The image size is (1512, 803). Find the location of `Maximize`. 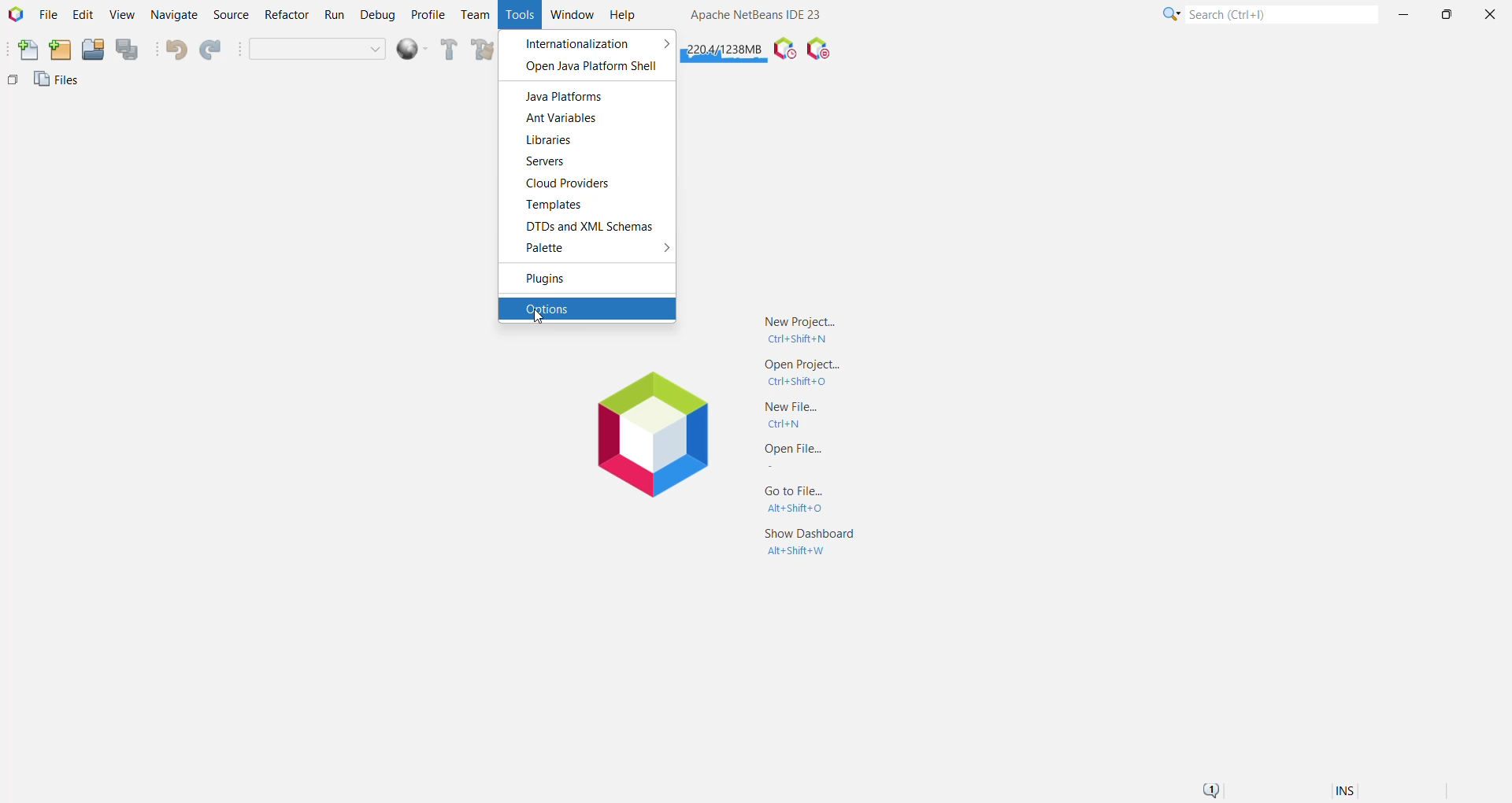

Maximize is located at coordinates (1449, 13).